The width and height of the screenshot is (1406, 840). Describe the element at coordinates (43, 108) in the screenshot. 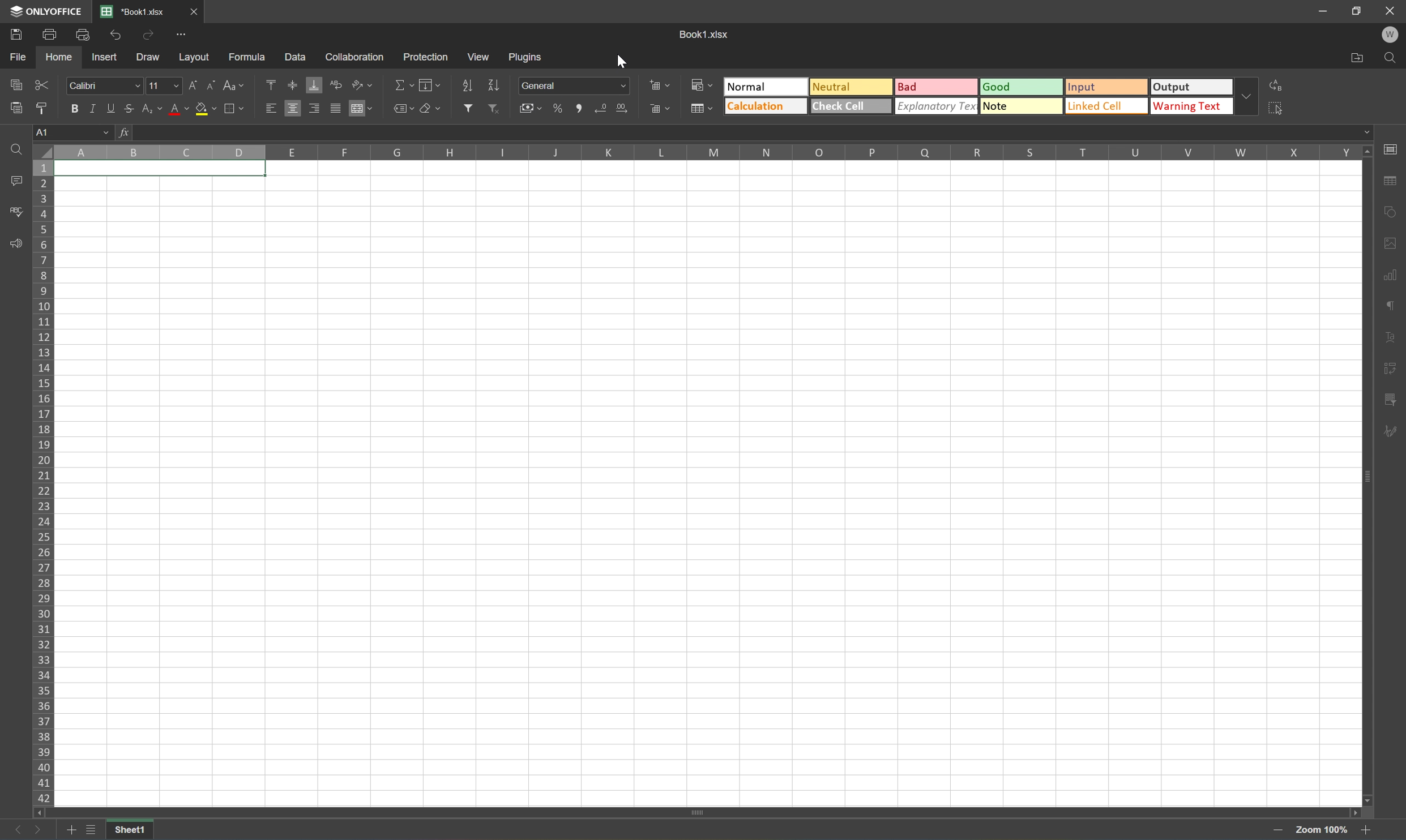

I see `Copy style` at that location.